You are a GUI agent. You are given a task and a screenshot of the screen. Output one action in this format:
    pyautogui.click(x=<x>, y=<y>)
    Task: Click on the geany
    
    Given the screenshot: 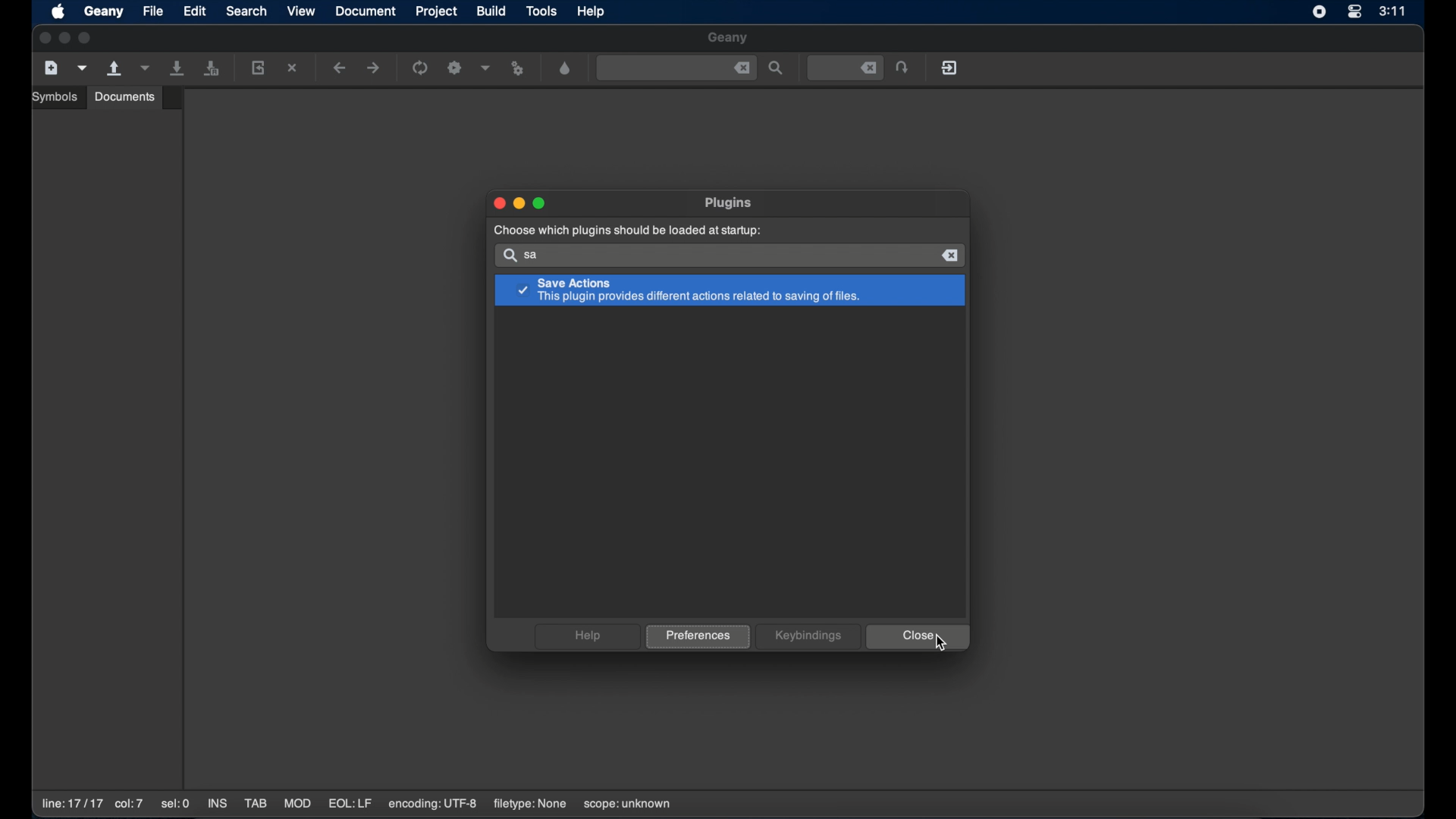 What is the action you would take?
    pyautogui.click(x=104, y=12)
    